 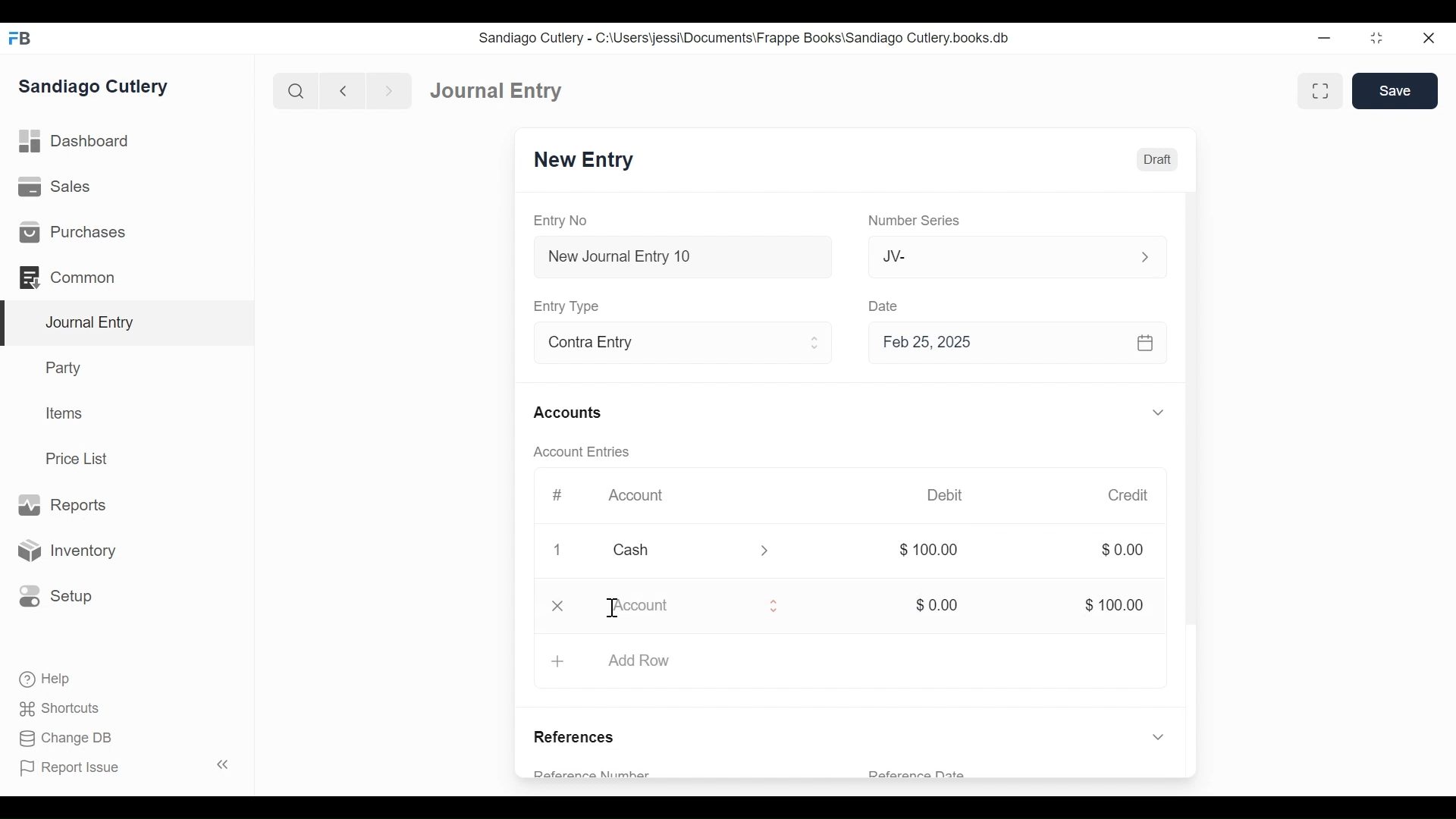 What do you see at coordinates (558, 551) in the screenshot?
I see `Close` at bounding box center [558, 551].